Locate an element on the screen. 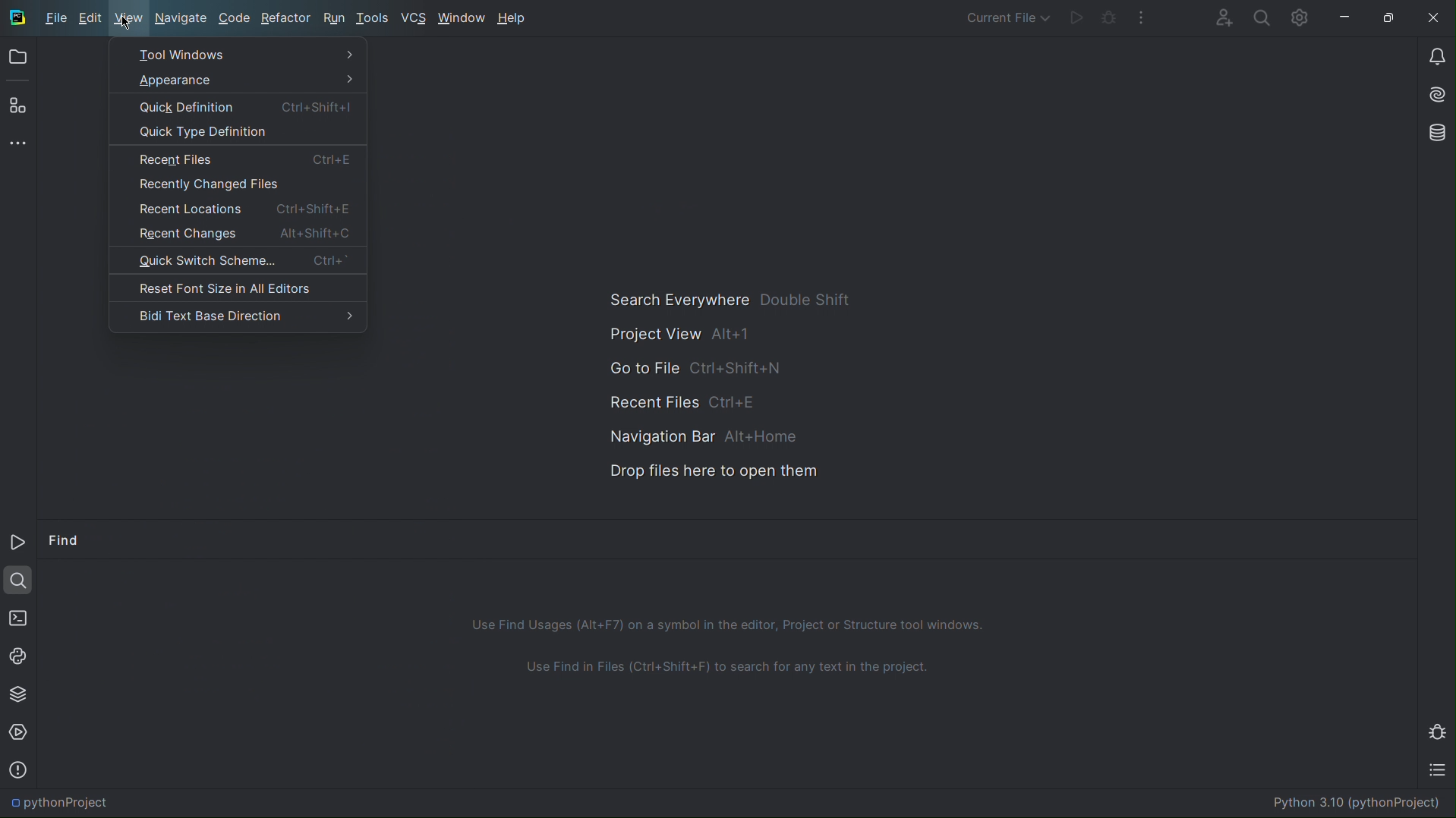 The image size is (1456, 818). Close is located at coordinates (1434, 19).